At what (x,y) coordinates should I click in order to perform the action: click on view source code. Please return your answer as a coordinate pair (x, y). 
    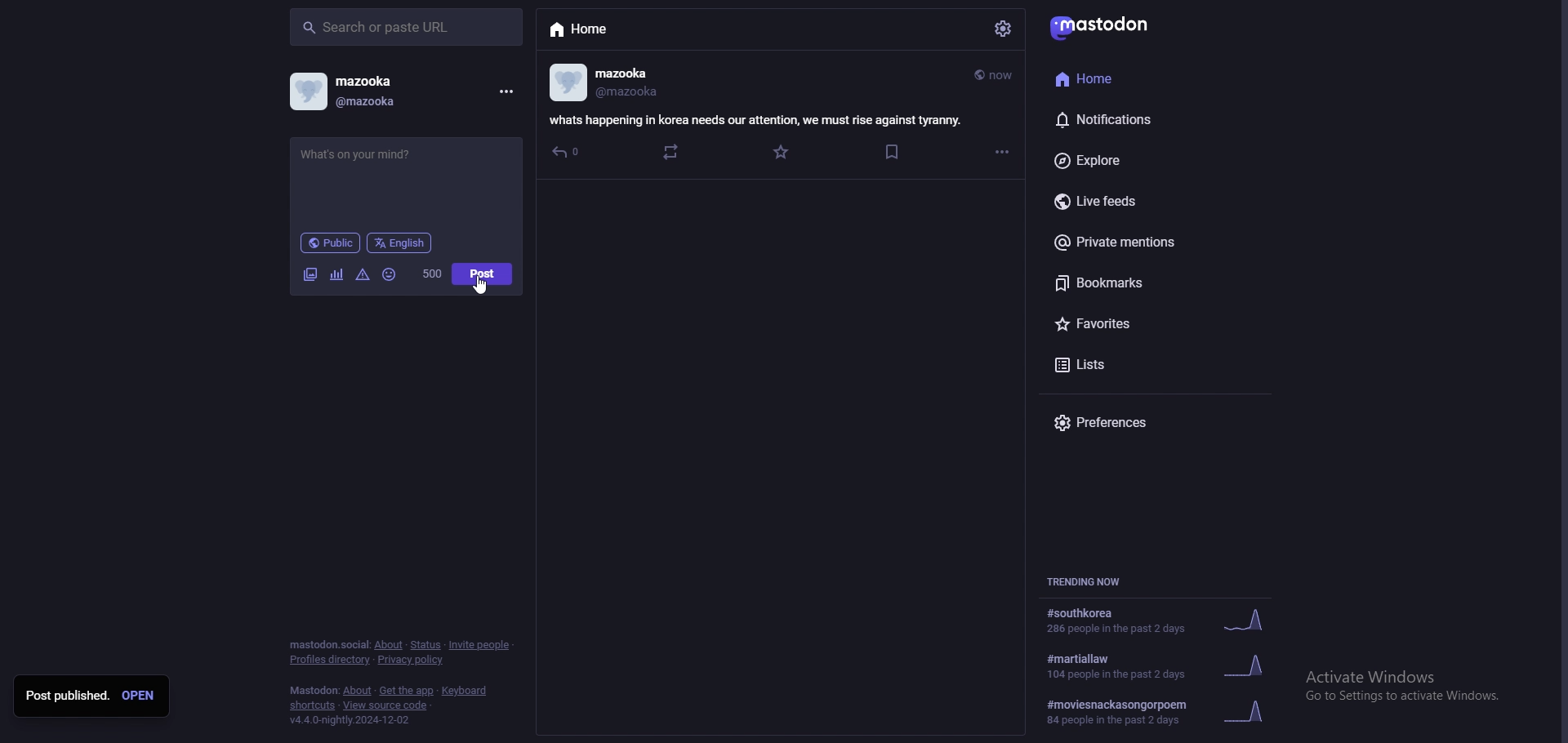
    Looking at the image, I should click on (388, 705).